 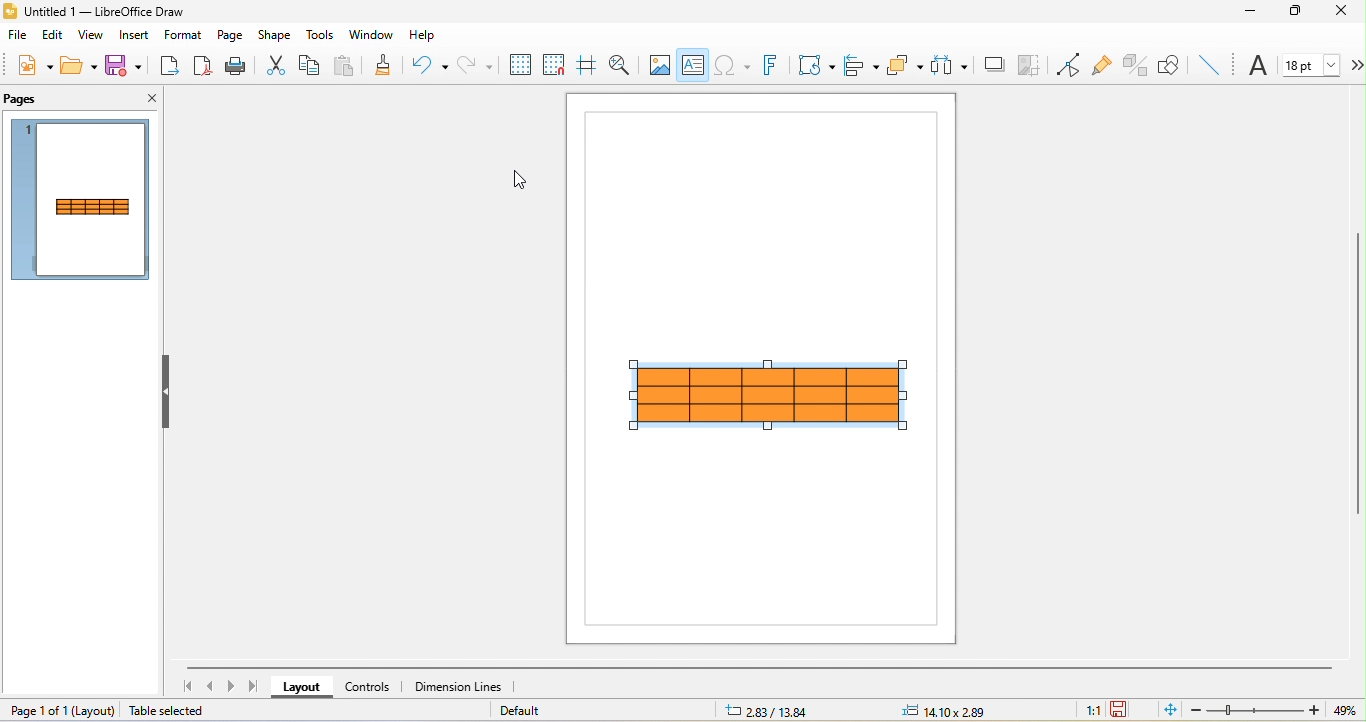 I want to click on arrange, so click(x=905, y=64).